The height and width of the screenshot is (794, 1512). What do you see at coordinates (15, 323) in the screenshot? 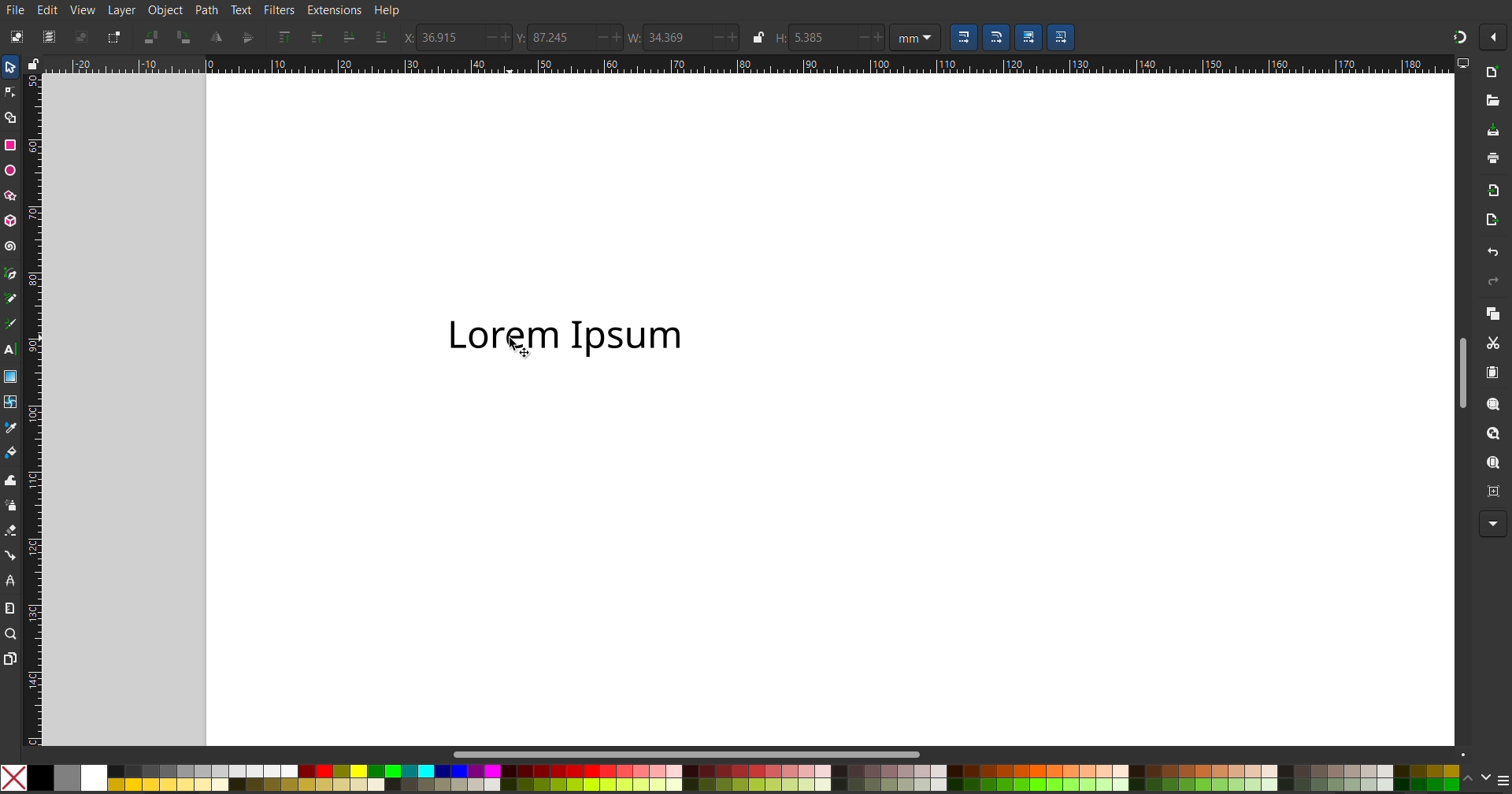
I see `Calligraphy Tool` at bounding box center [15, 323].